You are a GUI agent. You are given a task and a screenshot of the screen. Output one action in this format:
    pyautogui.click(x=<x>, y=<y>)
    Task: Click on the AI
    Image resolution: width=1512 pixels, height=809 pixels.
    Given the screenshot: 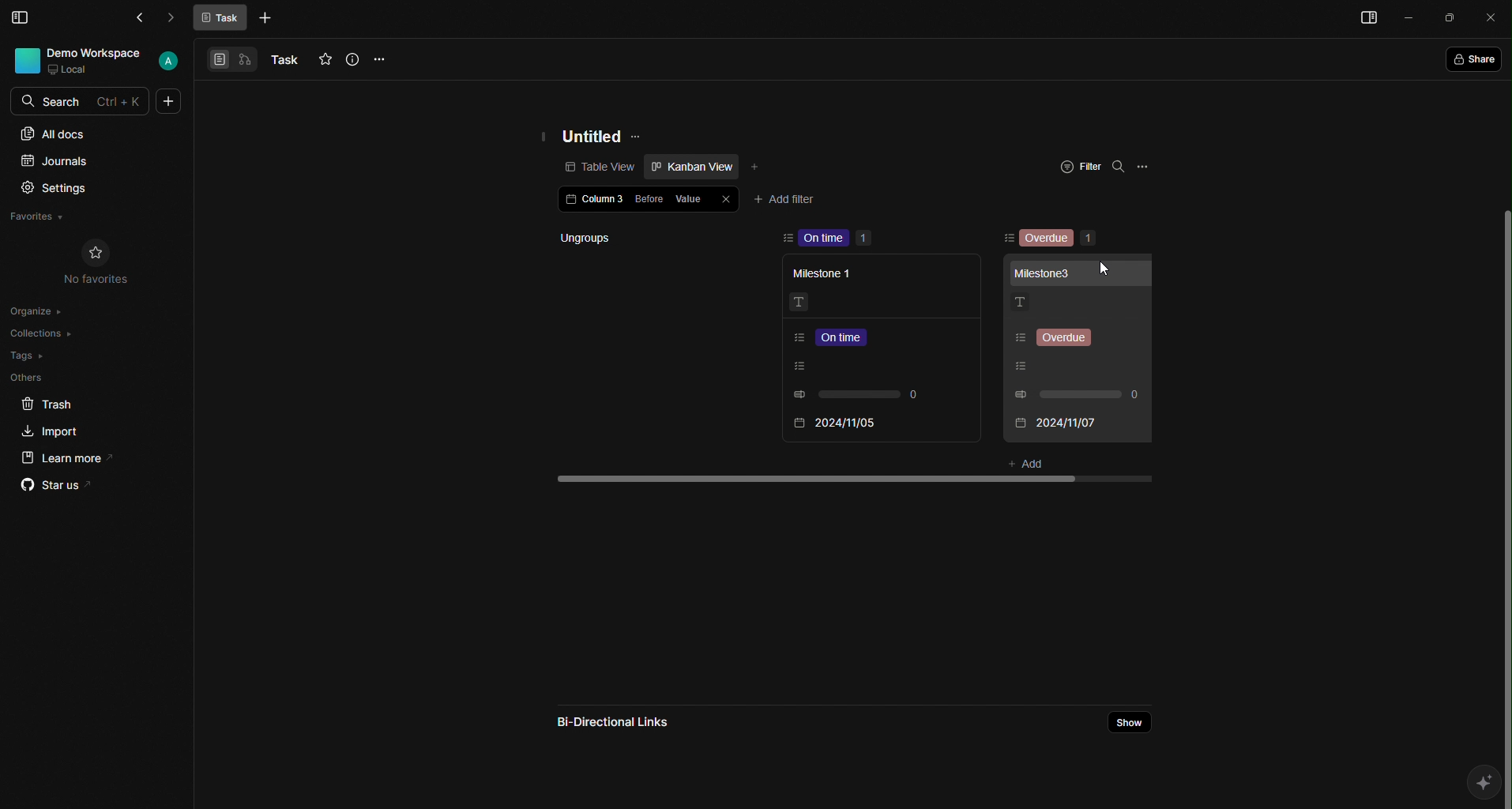 What is the action you would take?
    pyautogui.click(x=1486, y=785)
    